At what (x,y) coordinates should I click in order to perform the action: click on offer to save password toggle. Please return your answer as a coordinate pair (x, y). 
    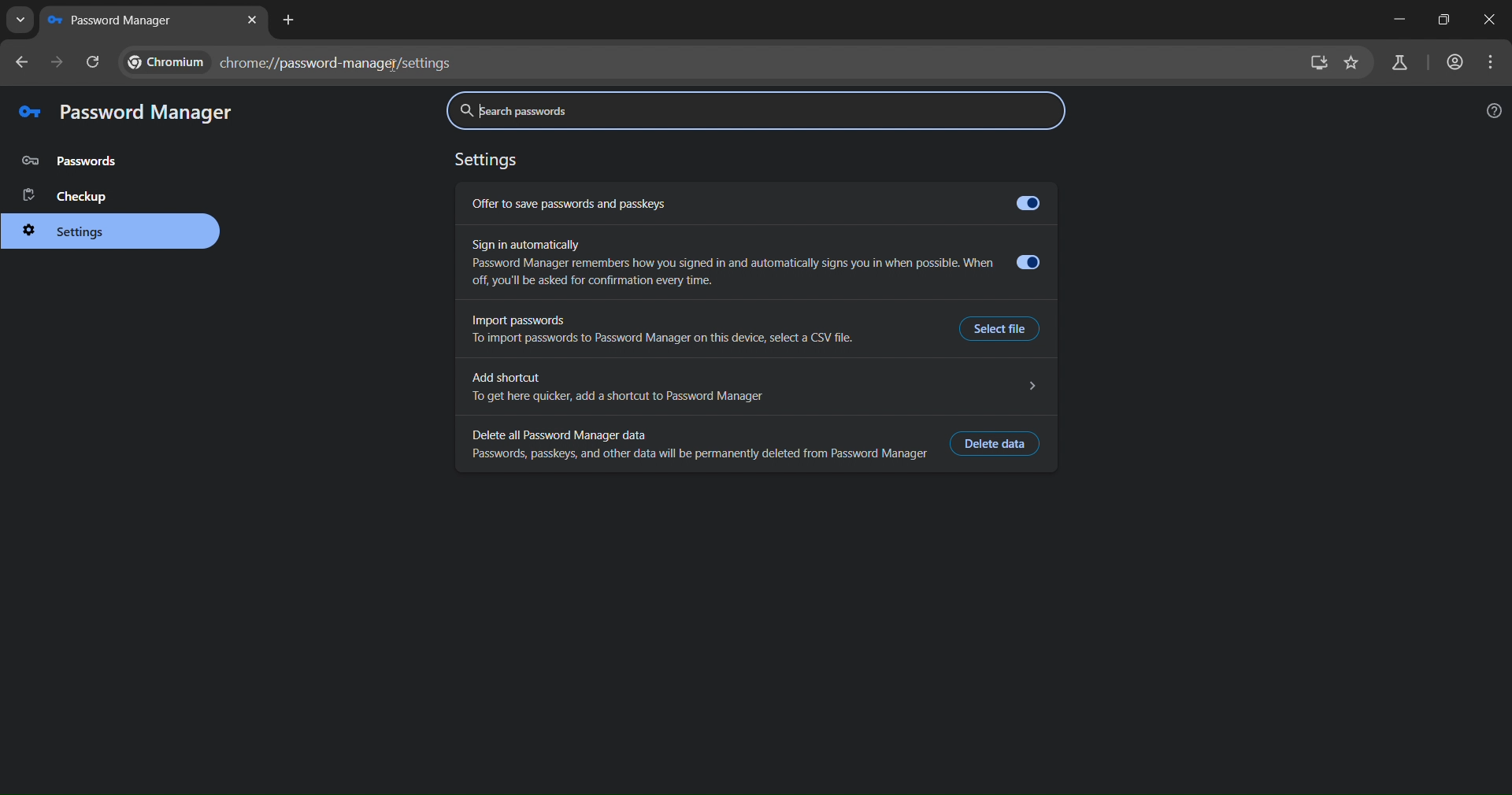
    Looking at the image, I should click on (1015, 203).